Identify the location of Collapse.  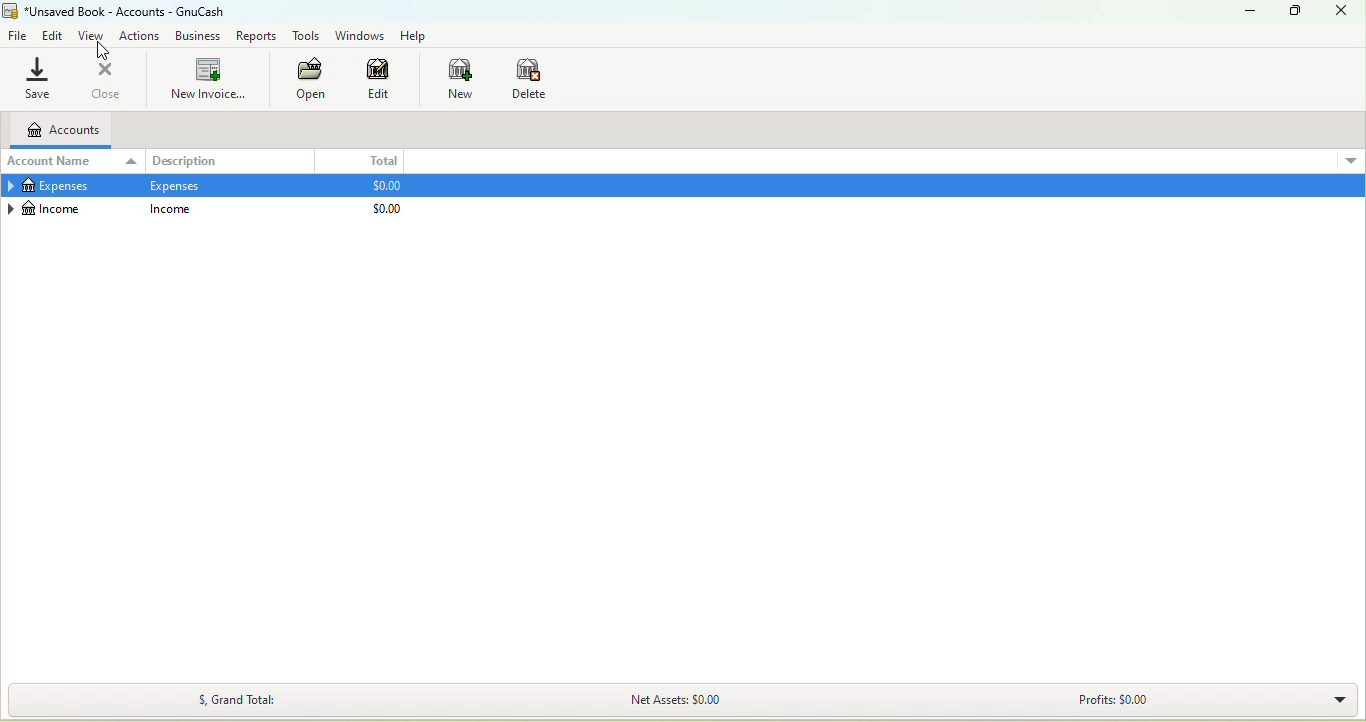
(9, 186).